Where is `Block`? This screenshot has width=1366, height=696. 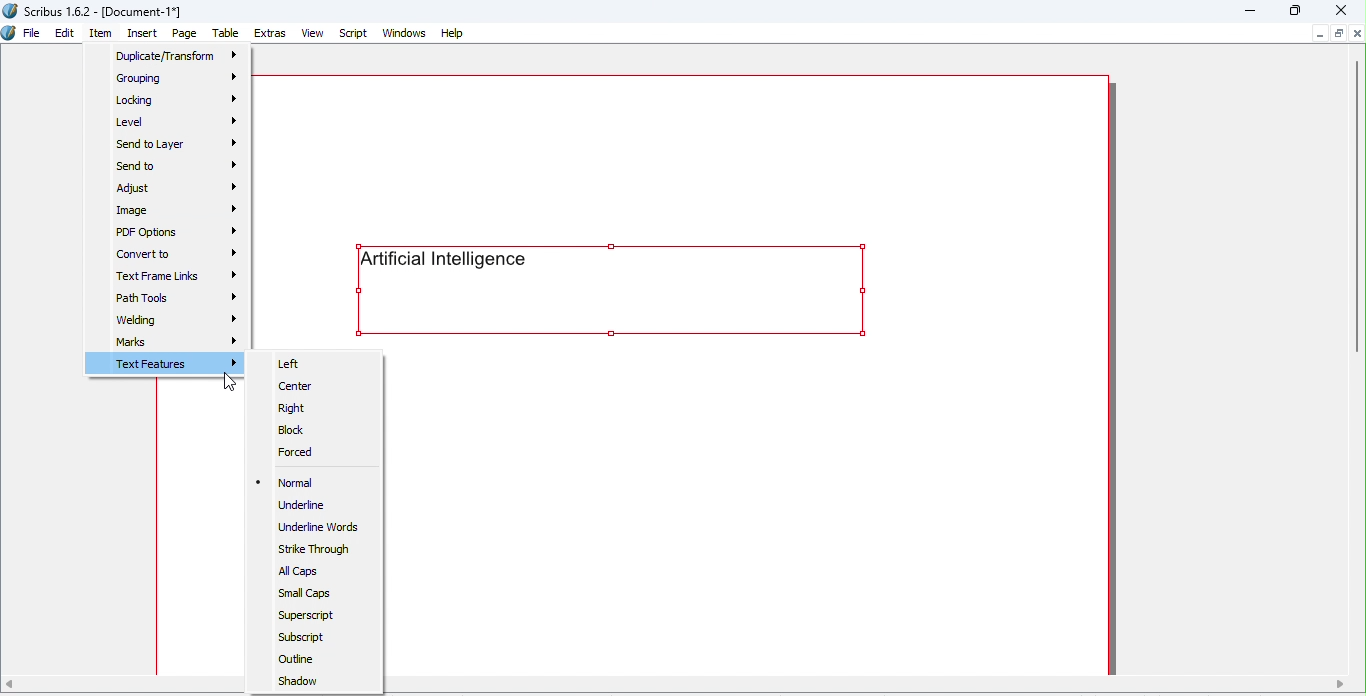 Block is located at coordinates (296, 430).